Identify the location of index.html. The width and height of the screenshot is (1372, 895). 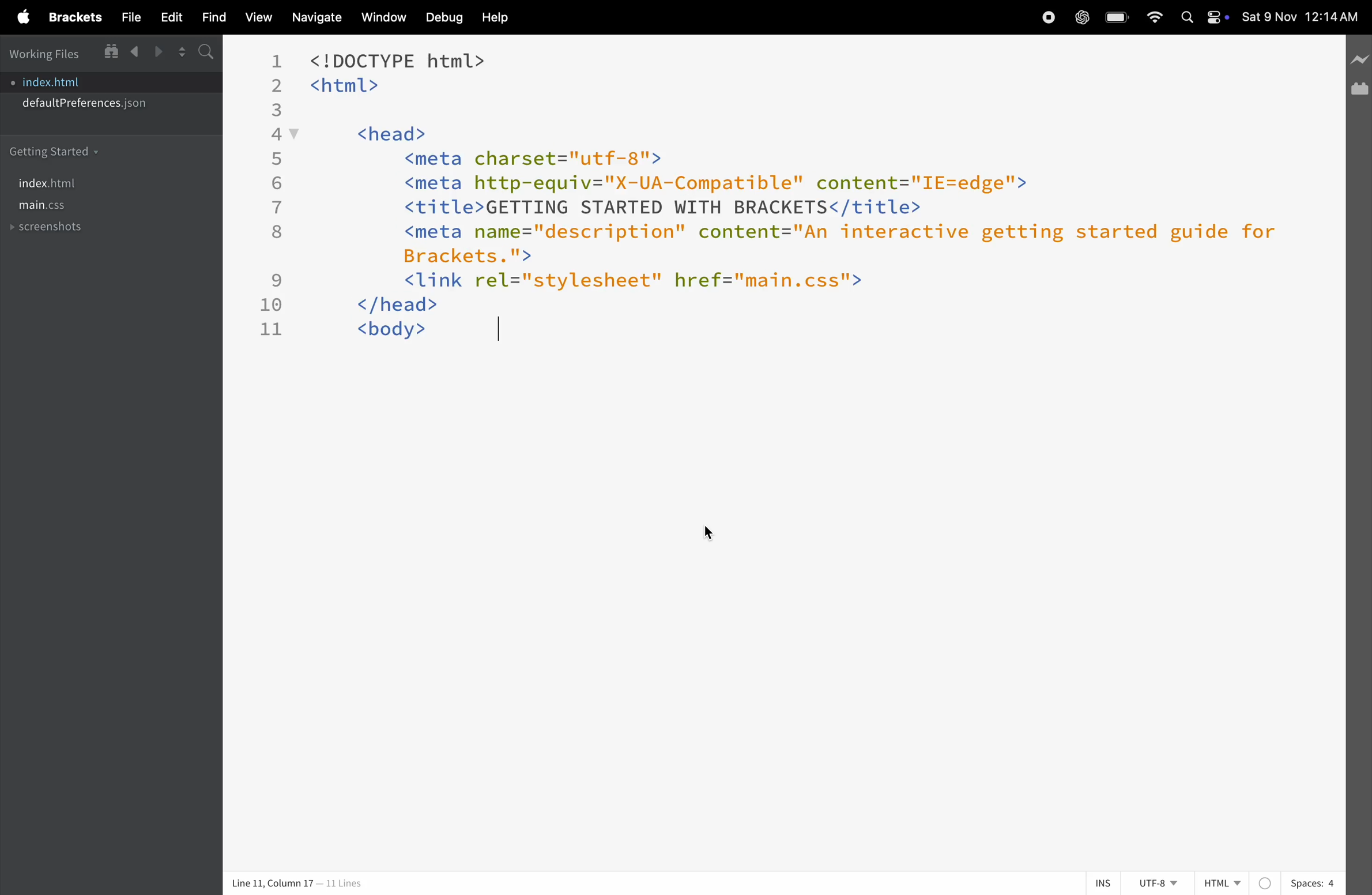
(112, 82).